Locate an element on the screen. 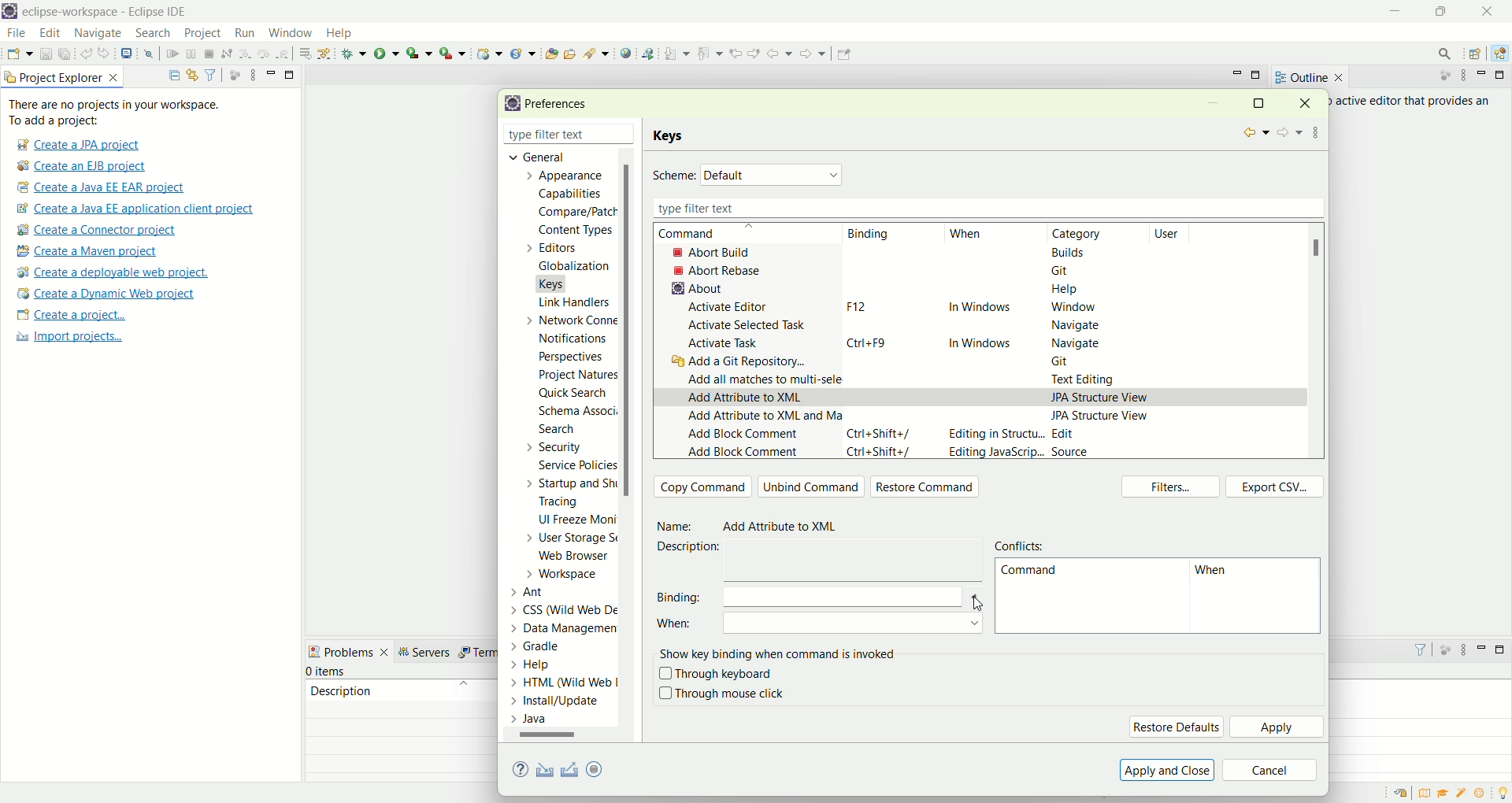  abort rebase is located at coordinates (721, 271).